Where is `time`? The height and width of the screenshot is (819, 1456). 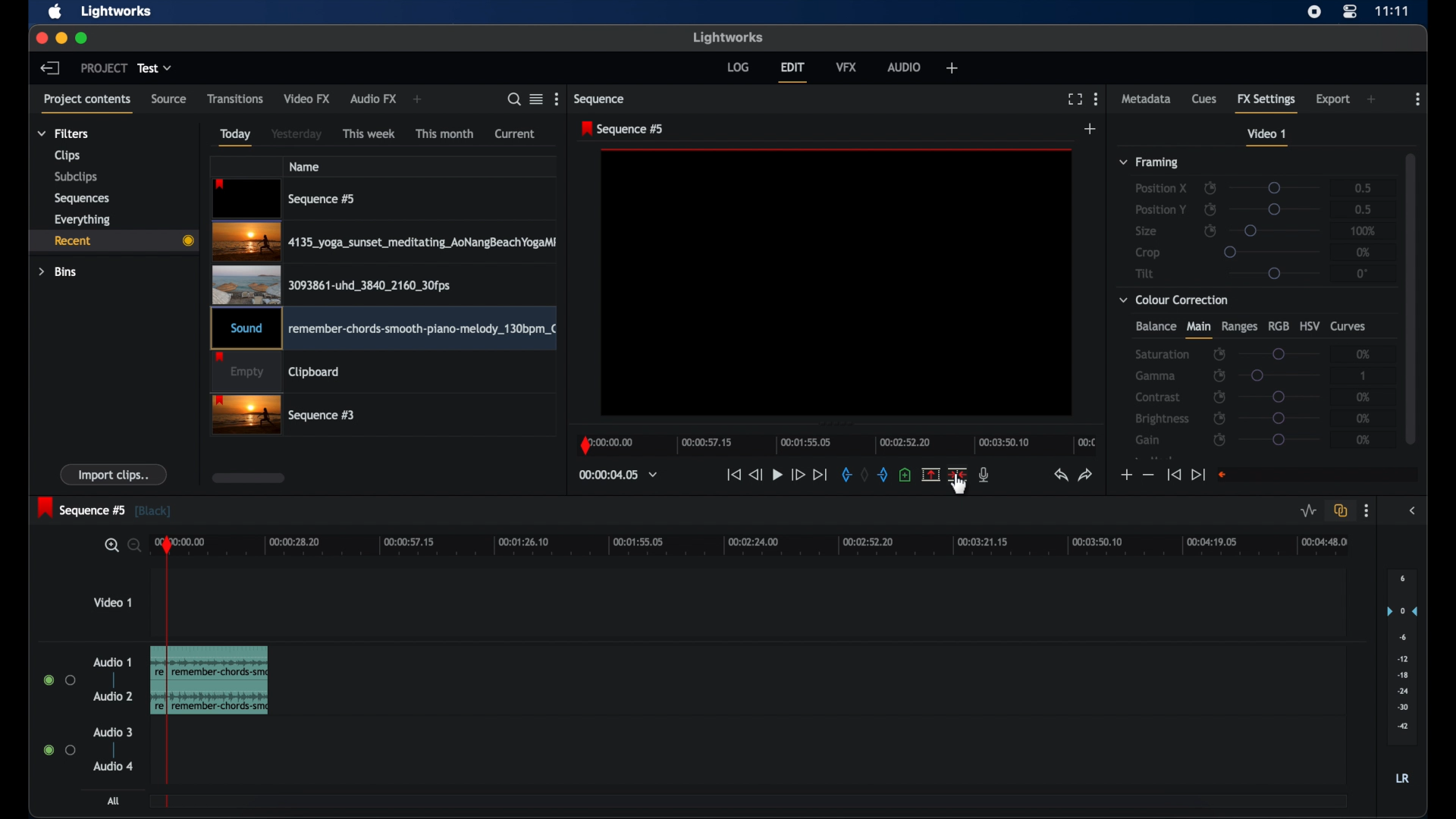
time is located at coordinates (1392, 11).